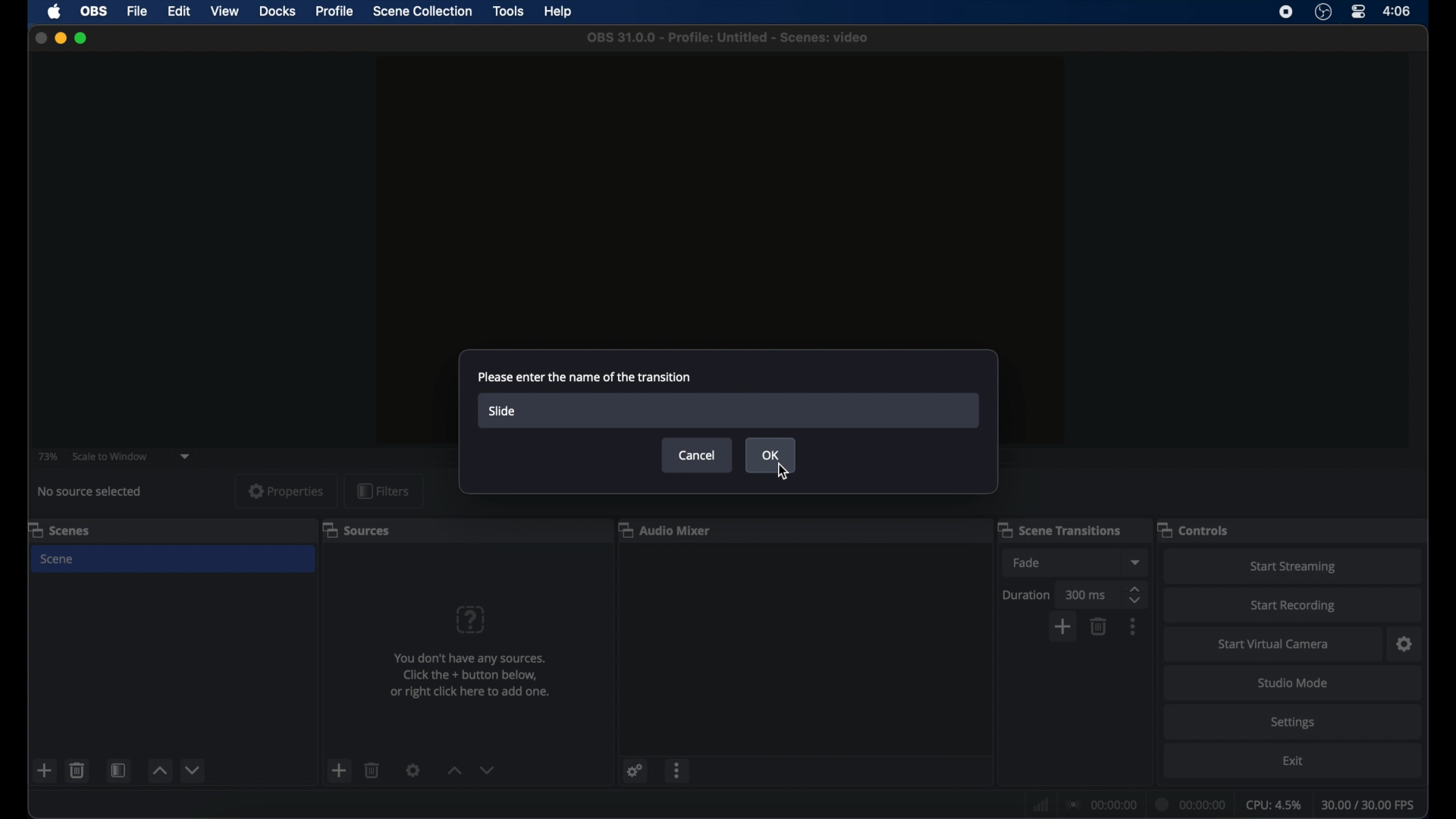 This screenshot has height=819, width=1456. I want to click on info, so click(470, 677).